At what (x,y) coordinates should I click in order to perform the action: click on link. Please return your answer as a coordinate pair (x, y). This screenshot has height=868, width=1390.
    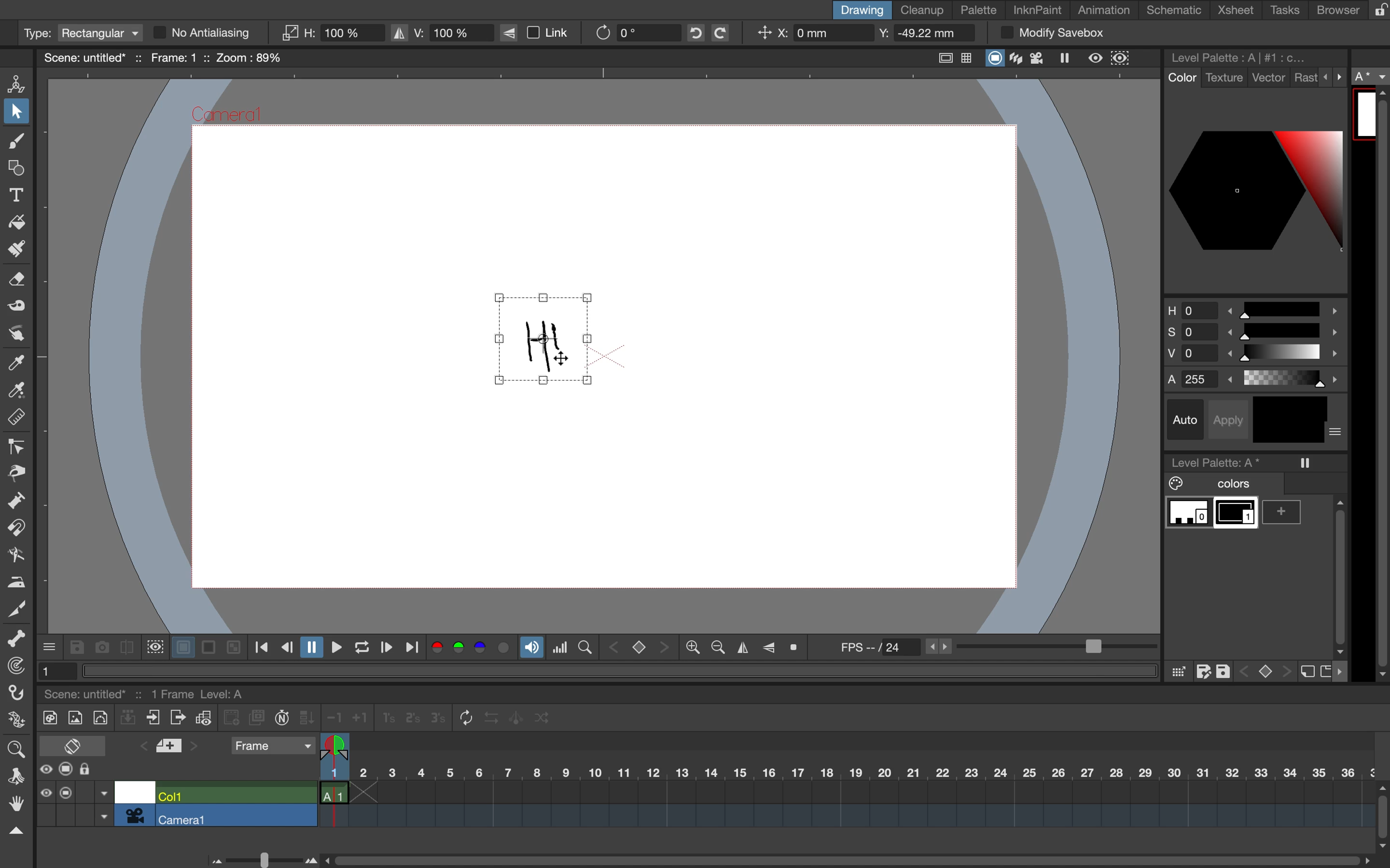
    Looking at the image, I should click on (542, 33).